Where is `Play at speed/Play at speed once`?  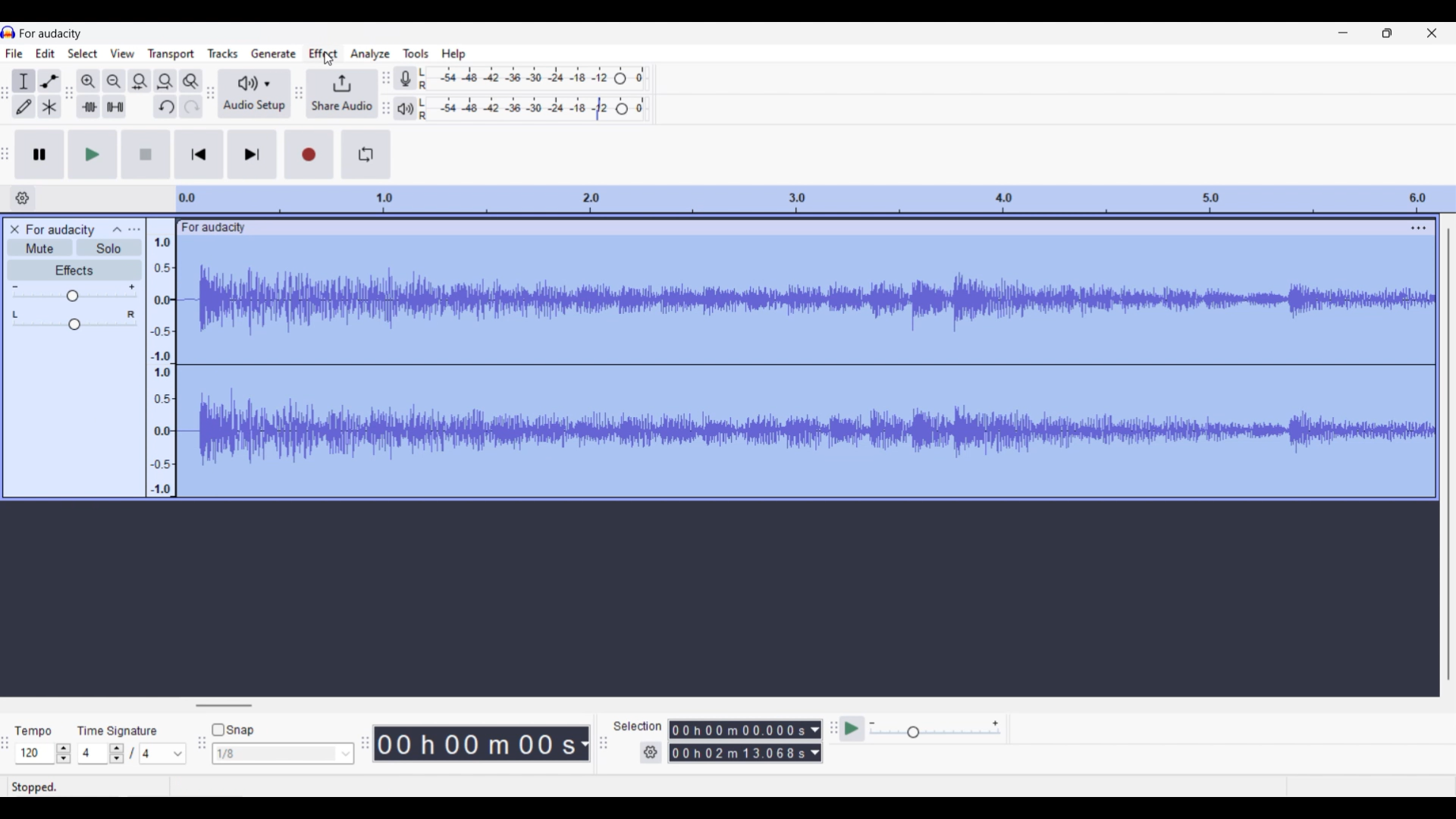 Play at speed/Play at speed once is located at coordinates (852, 729).